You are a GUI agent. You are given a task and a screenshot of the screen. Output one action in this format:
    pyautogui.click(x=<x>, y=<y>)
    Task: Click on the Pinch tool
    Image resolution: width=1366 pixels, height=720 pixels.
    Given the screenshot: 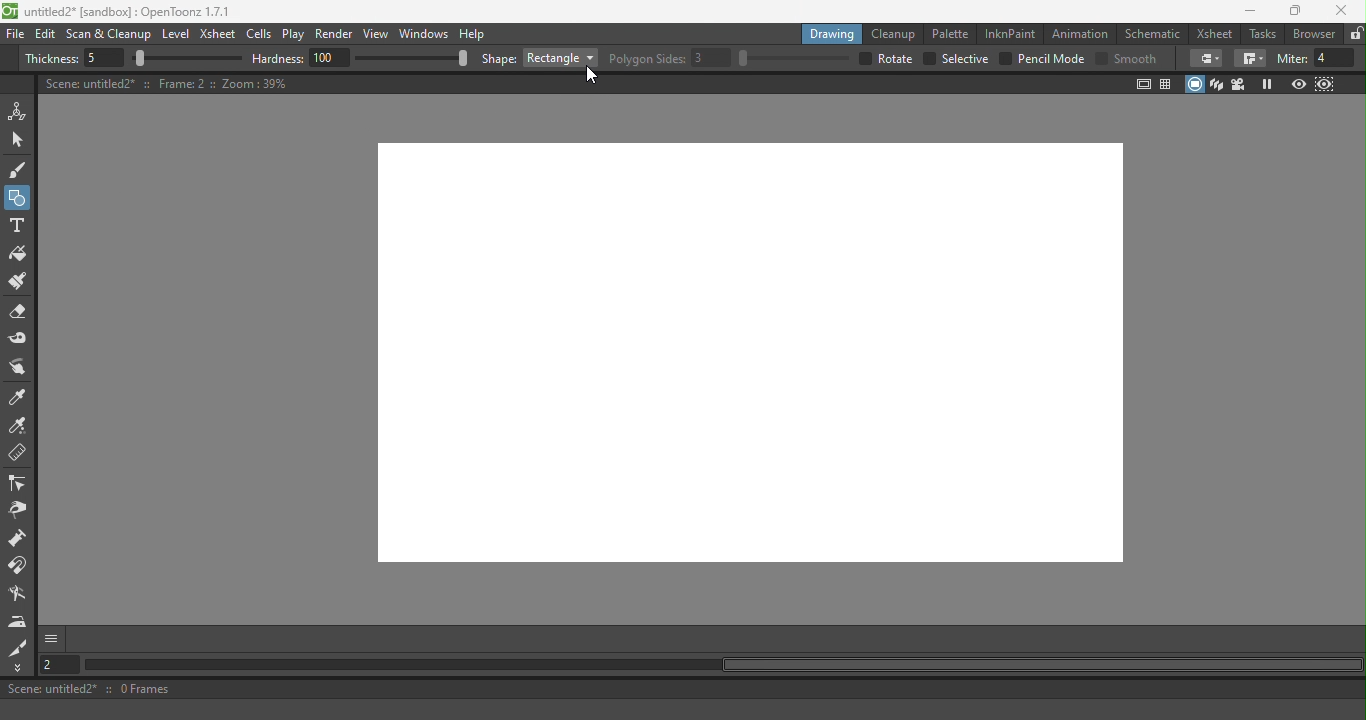 What is the action you would take?
    pyautogui.click(x=23, y=367)
    